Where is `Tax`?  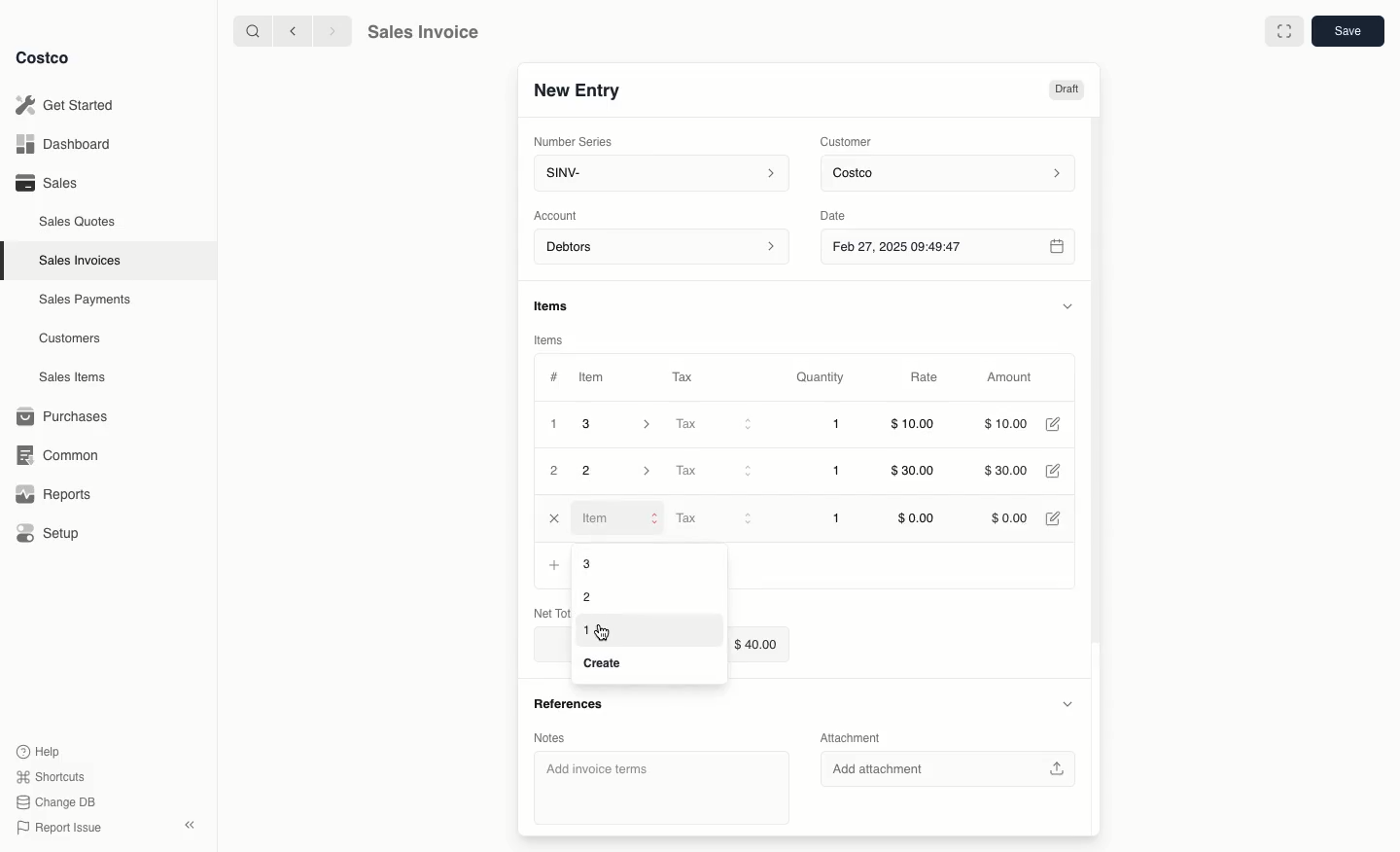
Tax is located at coordinates (714, 519).